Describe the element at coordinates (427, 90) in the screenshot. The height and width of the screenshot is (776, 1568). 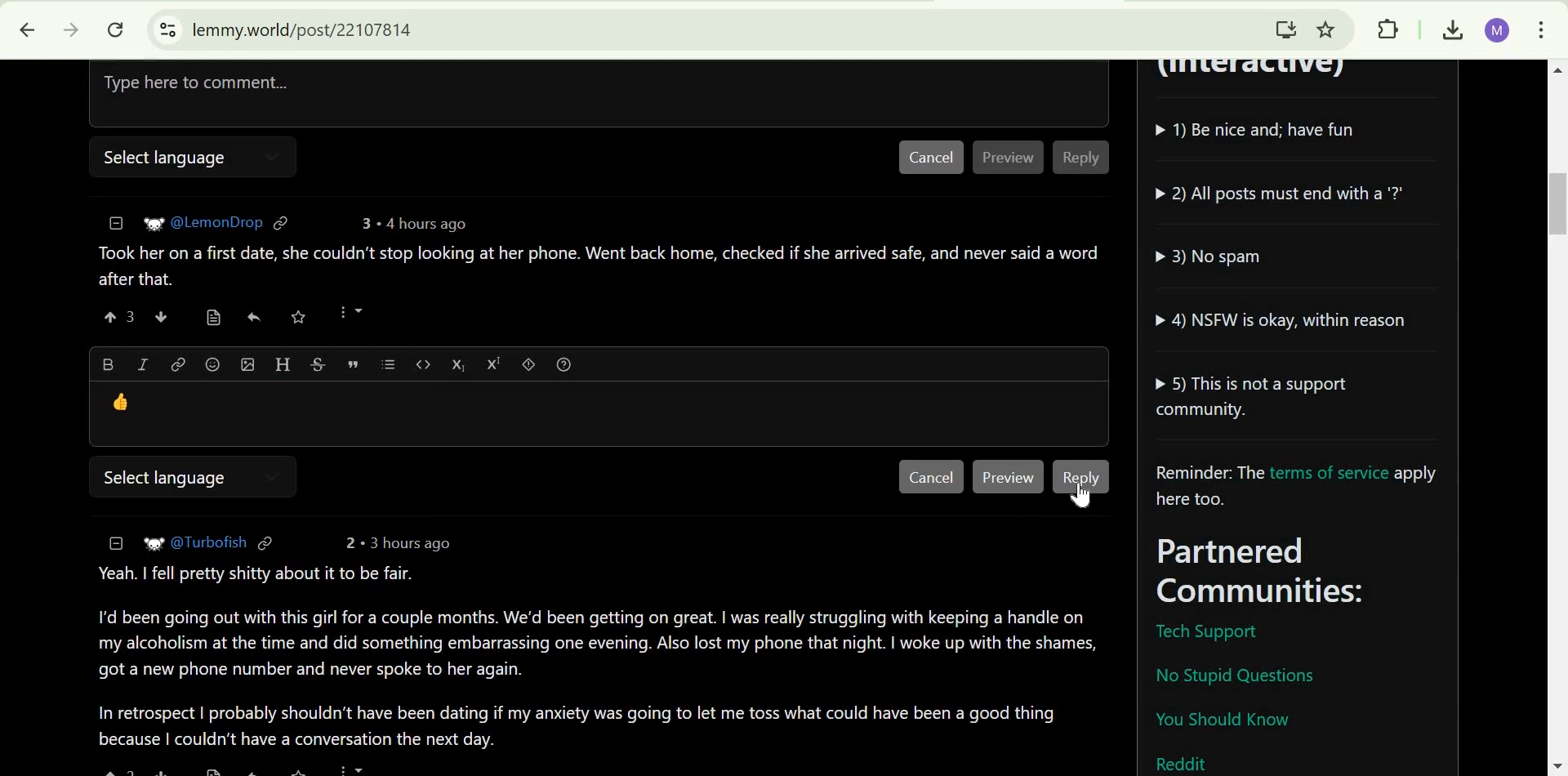
I see `Type here to comment...` at that location.